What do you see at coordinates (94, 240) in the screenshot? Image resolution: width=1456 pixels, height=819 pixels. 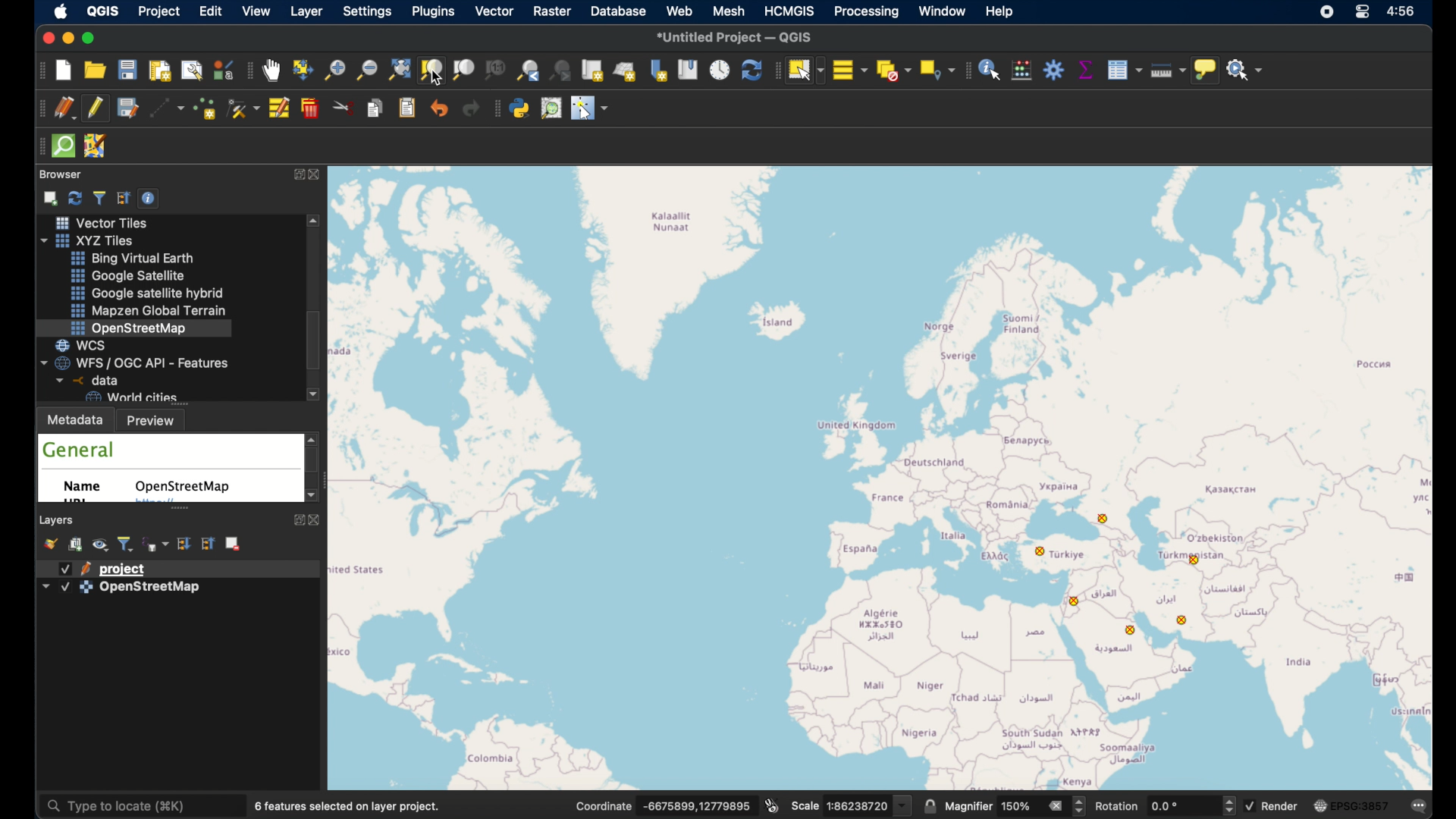 I see `xyzzy tiles` at bounding box center [94, 240].